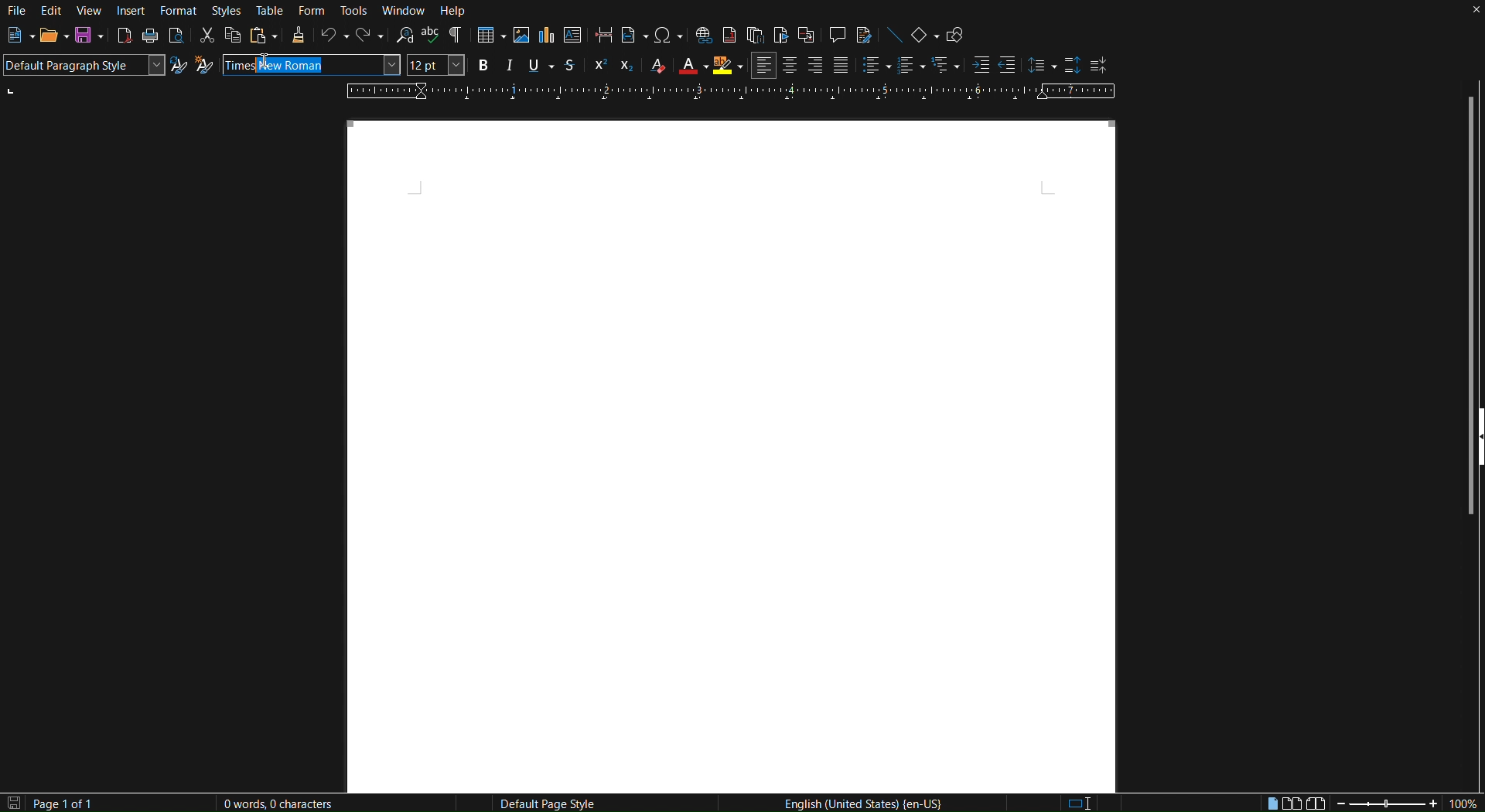  I want to click on Toggle ordered list, so click(910, 67).